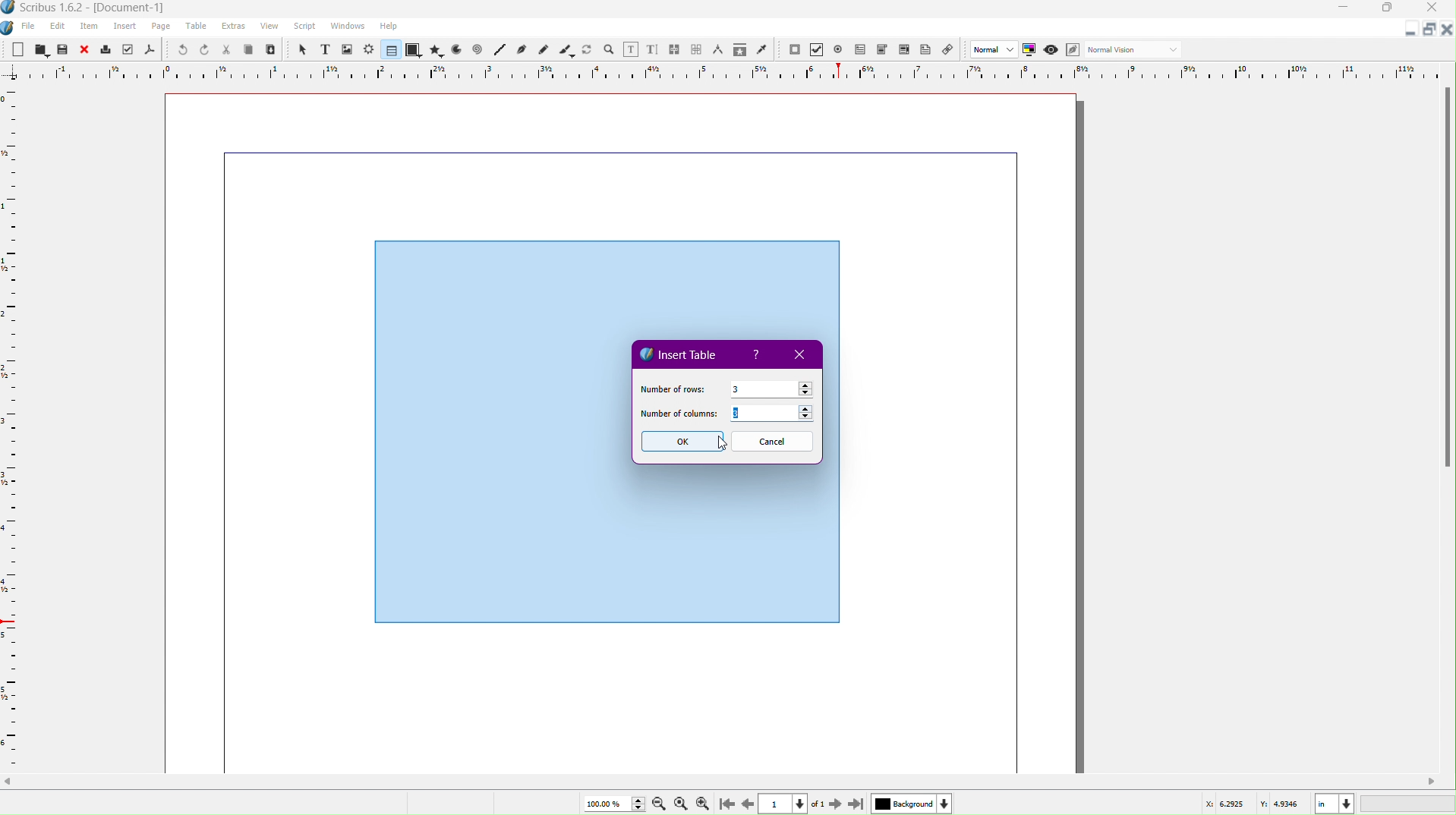 The width and height of the screenshot is (1456, 815). I want to click on PDF Text Field, so click(863, 52).